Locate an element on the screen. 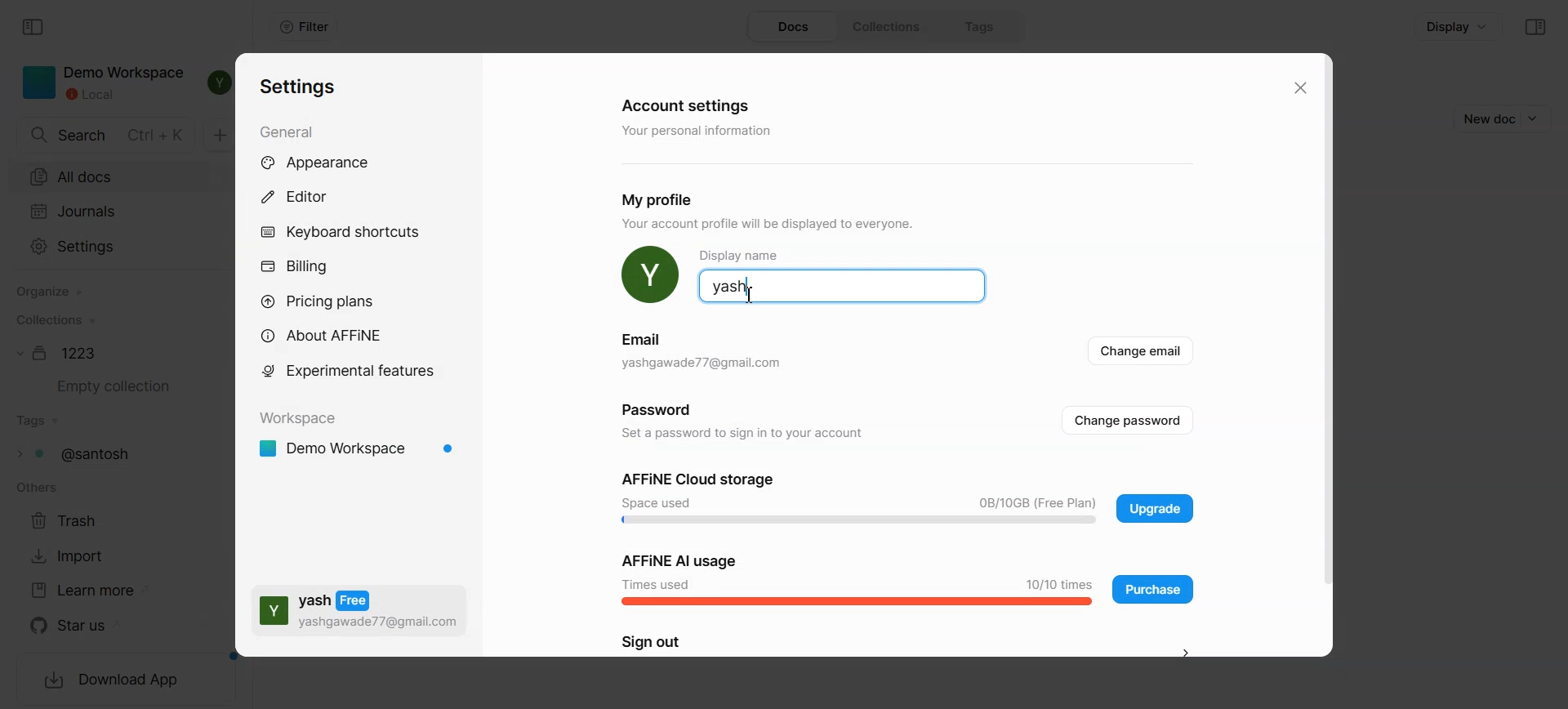 This screenshot has width=1568, height=709. Dropdown box is located at coordinates (1539, 118).